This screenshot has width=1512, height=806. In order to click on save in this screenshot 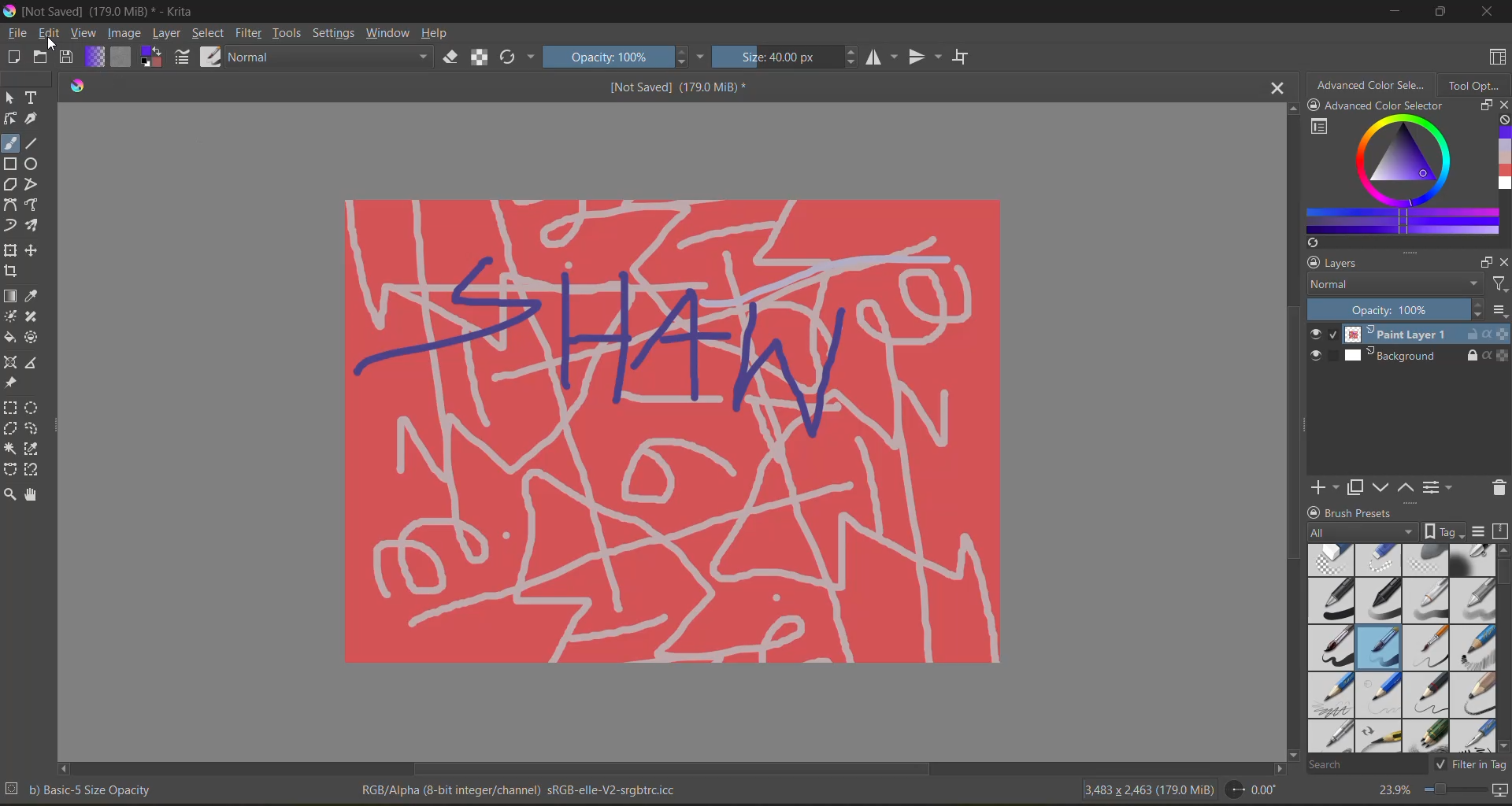, I will do `click(67, 57)`.